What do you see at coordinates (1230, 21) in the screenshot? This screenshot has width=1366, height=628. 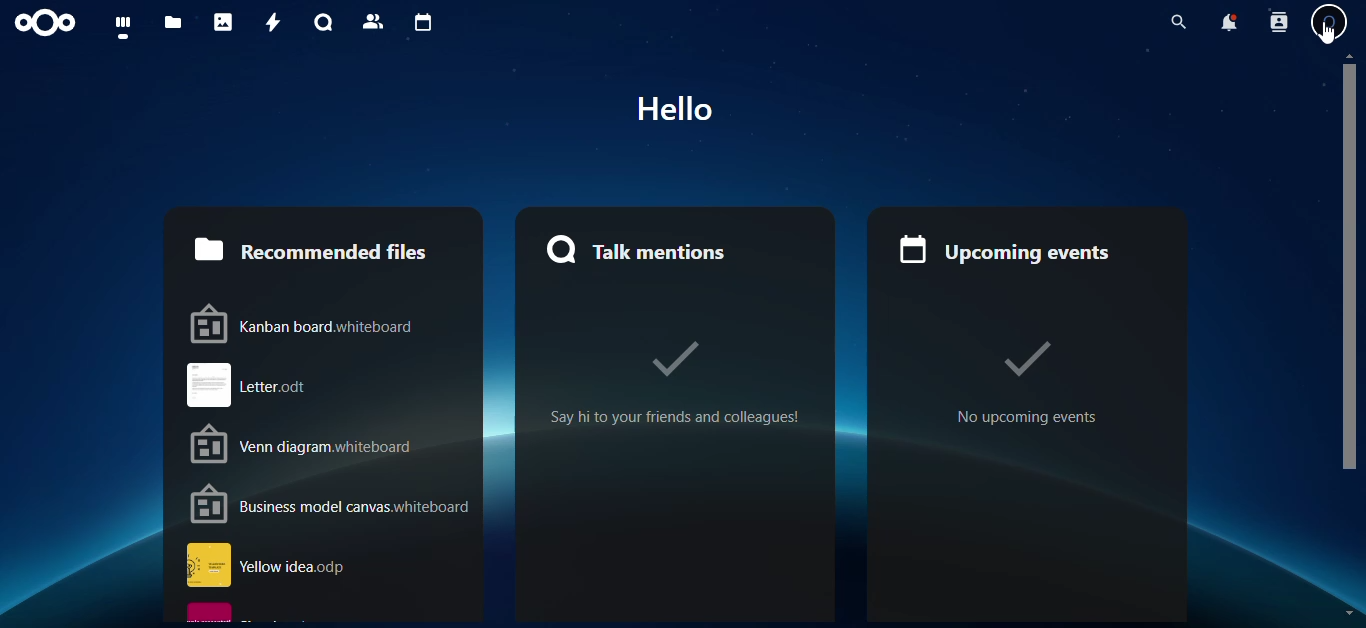 I see `notification` at bounding box center [1230, 21].